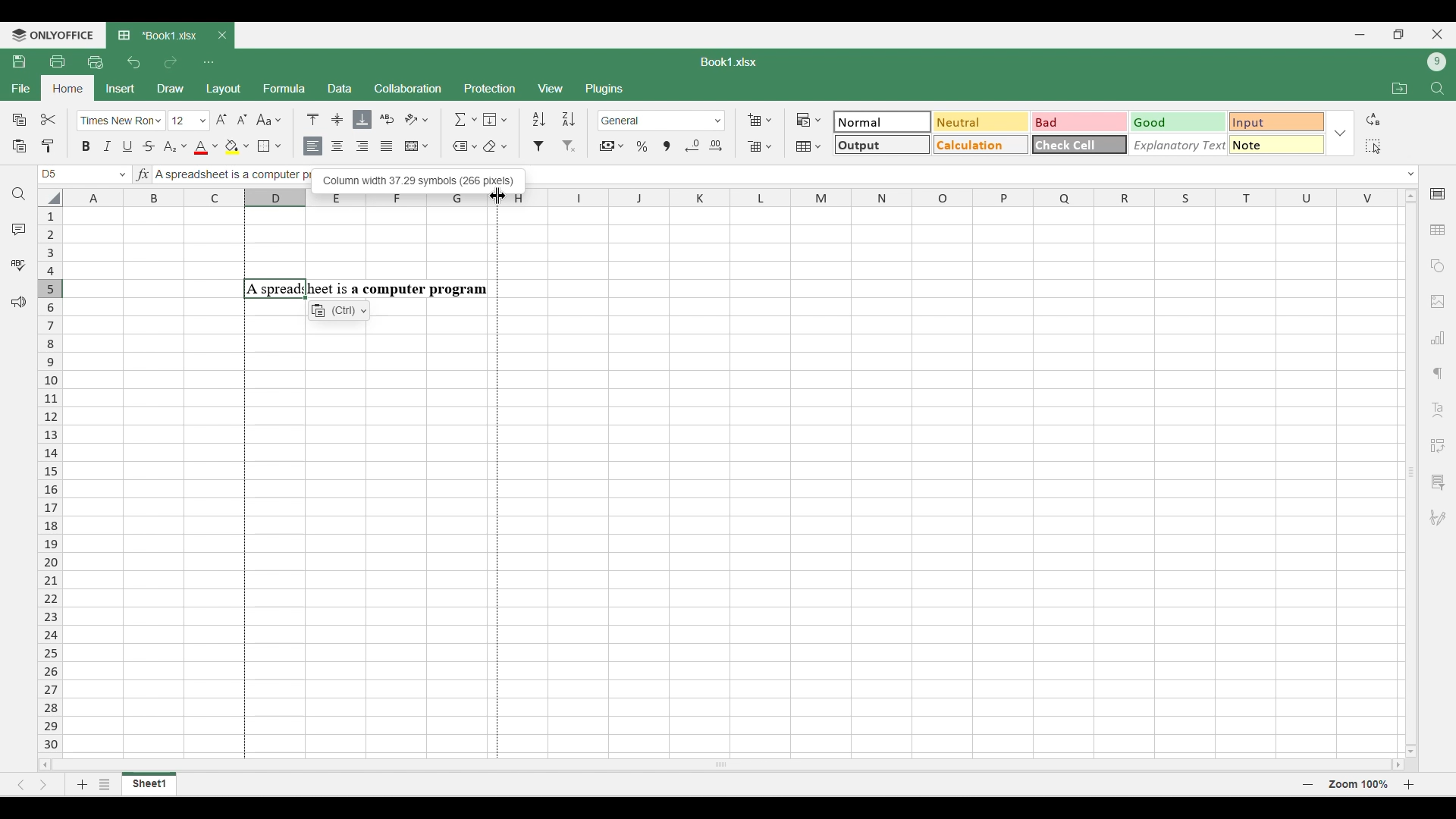  I want to click on Redo, so click(170, 62).